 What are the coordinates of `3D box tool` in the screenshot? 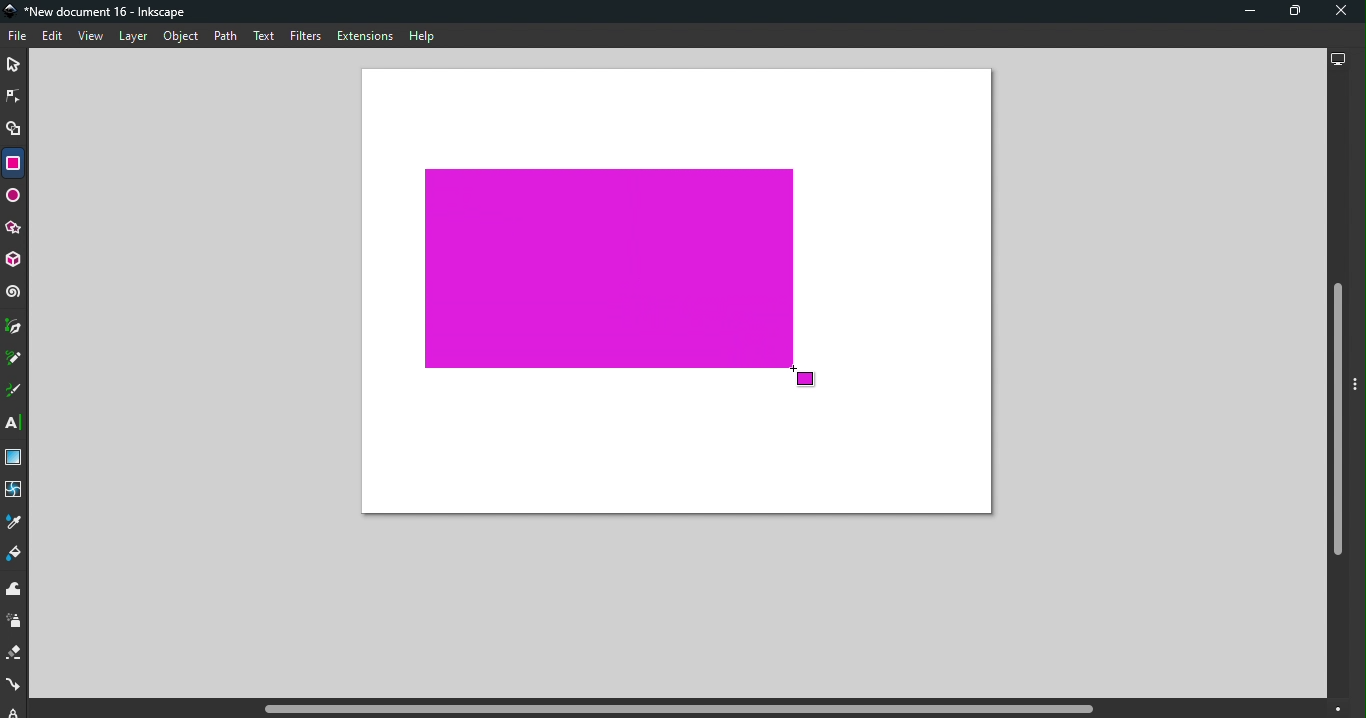 It's located at (15, 262).